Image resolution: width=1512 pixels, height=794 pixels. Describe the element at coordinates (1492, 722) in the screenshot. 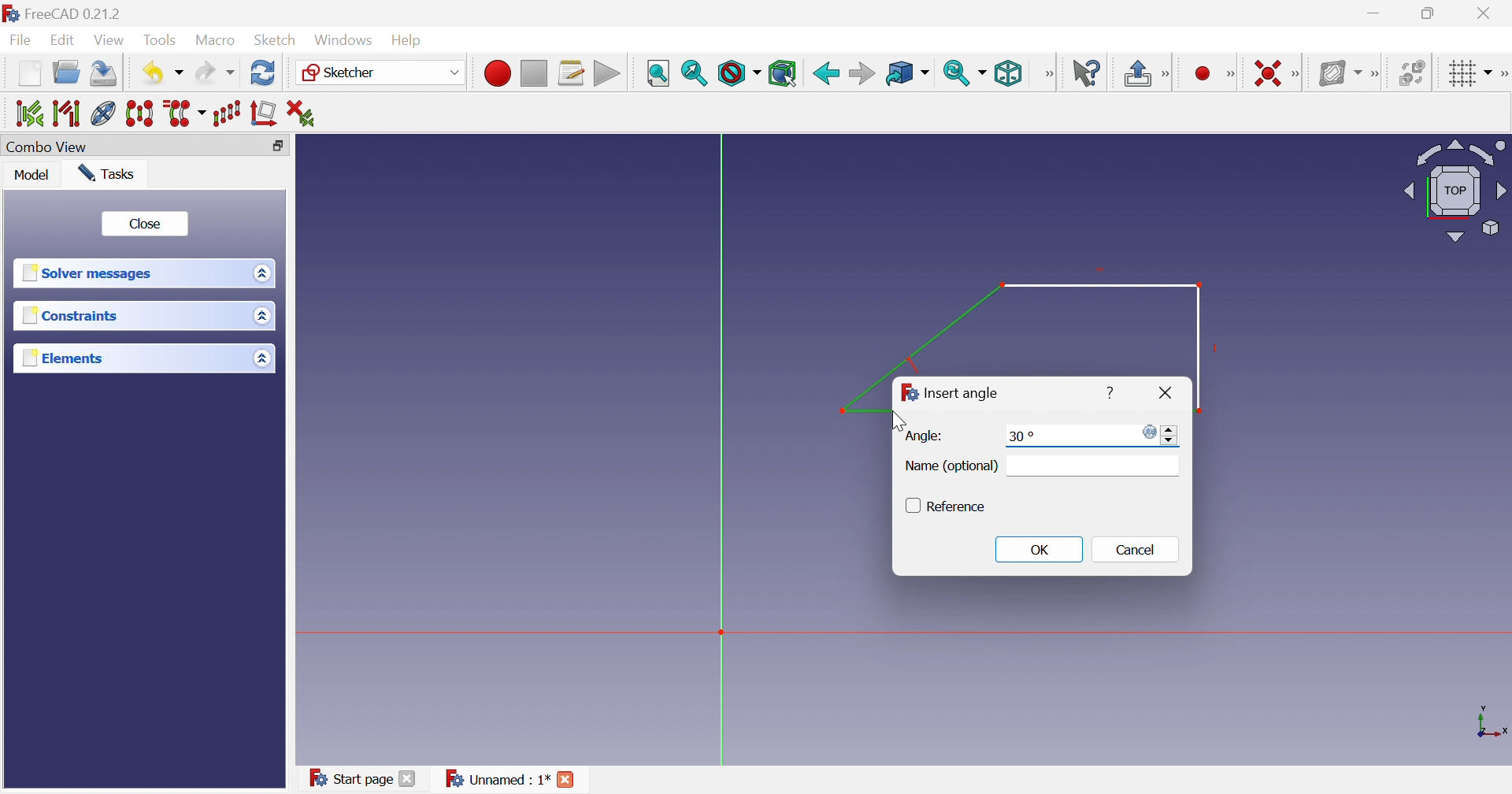

I see `X, Y plane` at that location.